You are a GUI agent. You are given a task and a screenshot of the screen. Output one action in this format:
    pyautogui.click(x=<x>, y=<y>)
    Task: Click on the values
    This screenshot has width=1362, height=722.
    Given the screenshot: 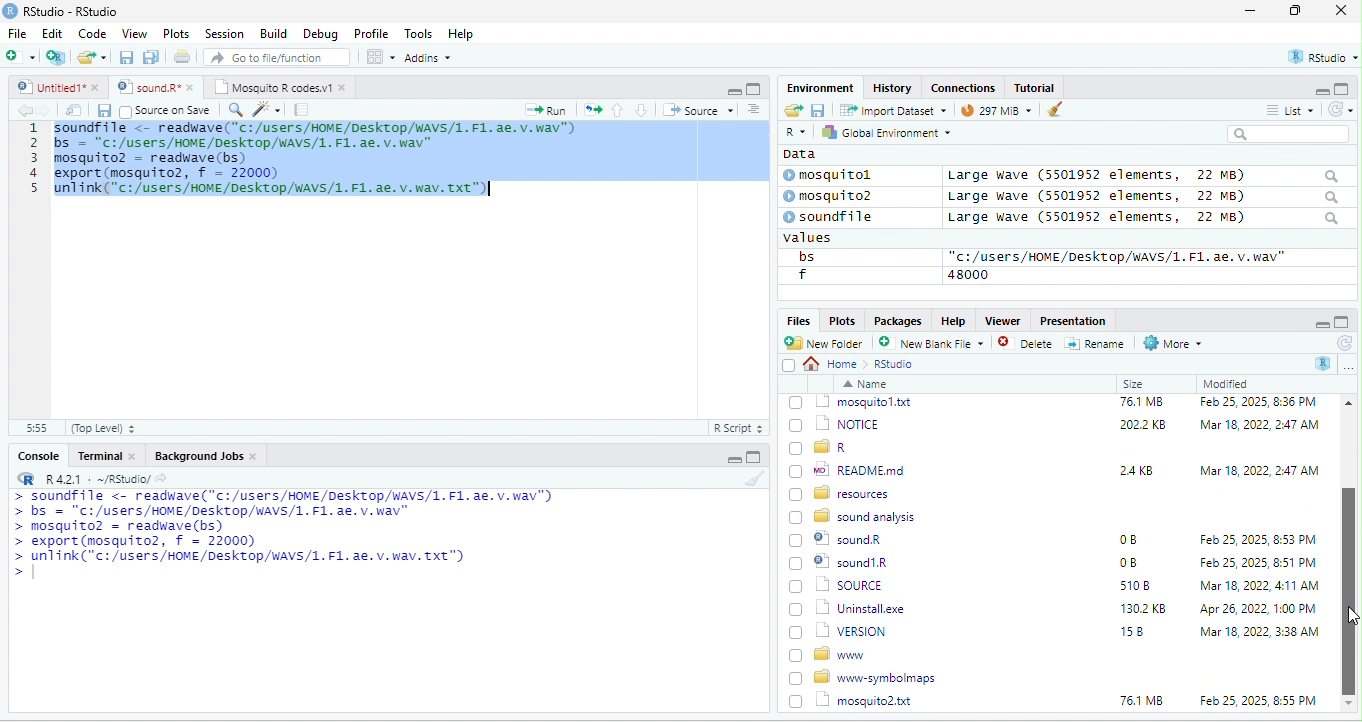 What is the action you would take?
    pyautogui.click(x=818, y=238)
    